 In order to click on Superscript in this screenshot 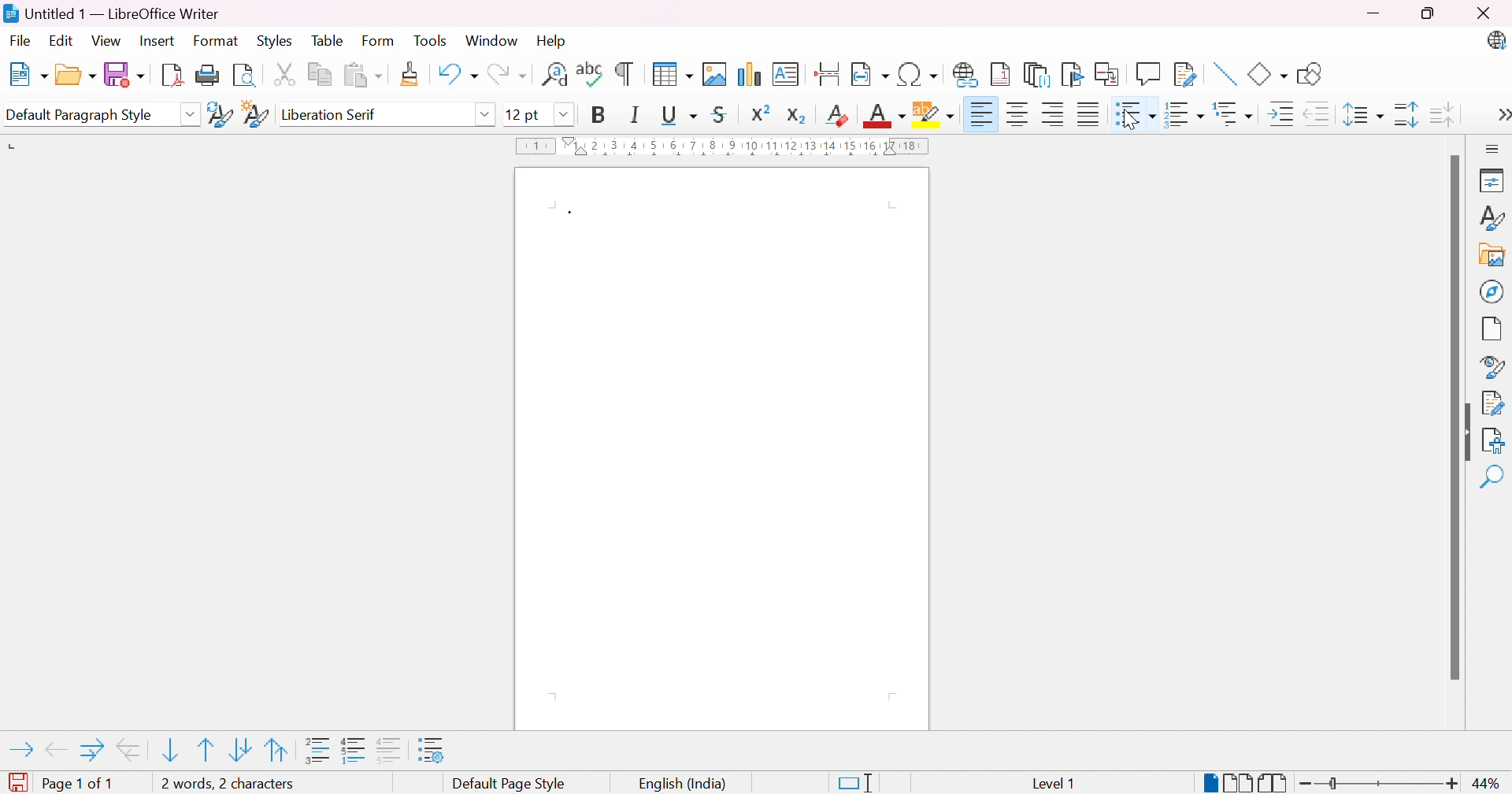, I will do `click(761, 113)`.